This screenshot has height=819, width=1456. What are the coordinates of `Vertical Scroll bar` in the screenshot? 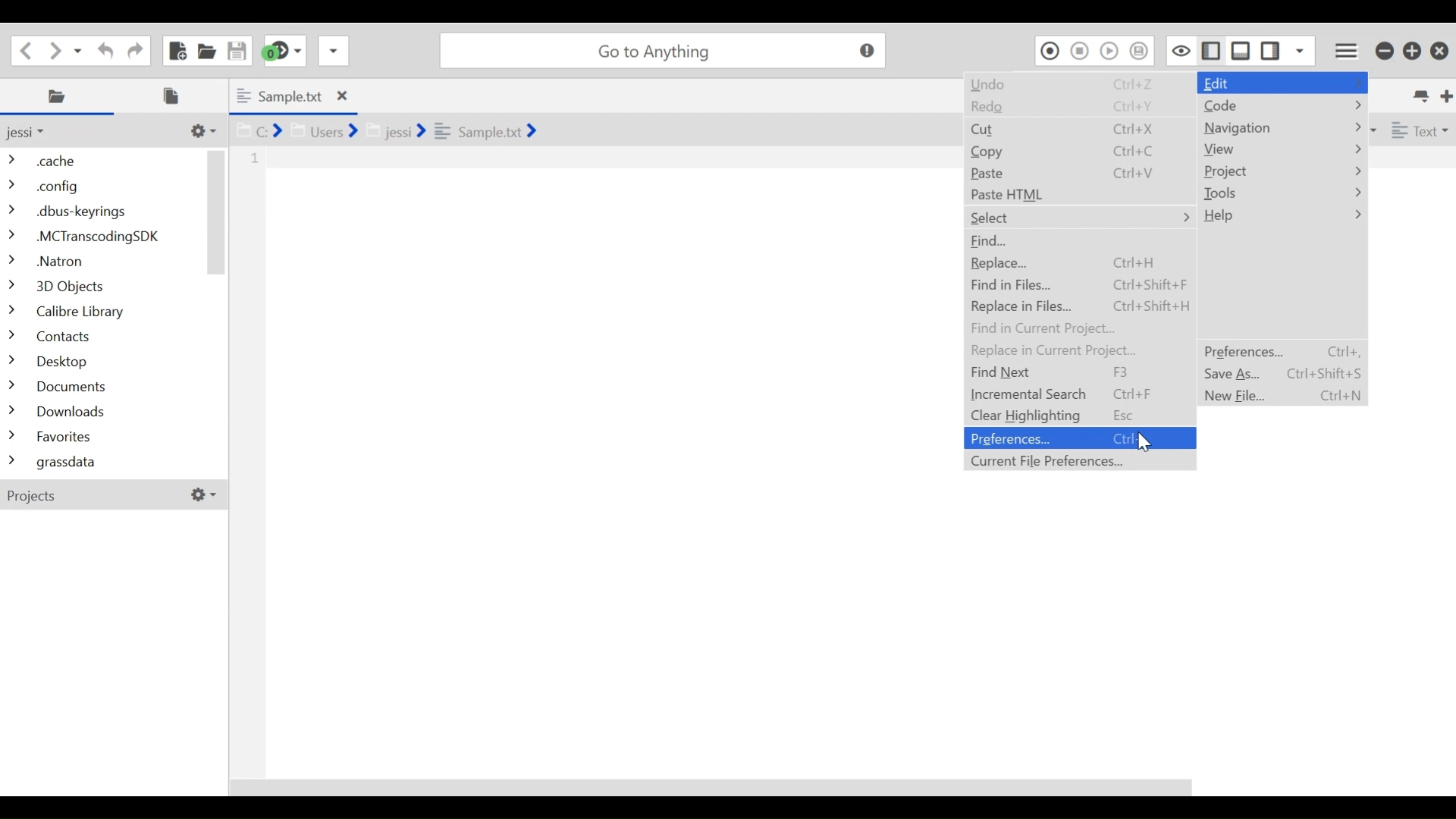 It's located at (217, 212).